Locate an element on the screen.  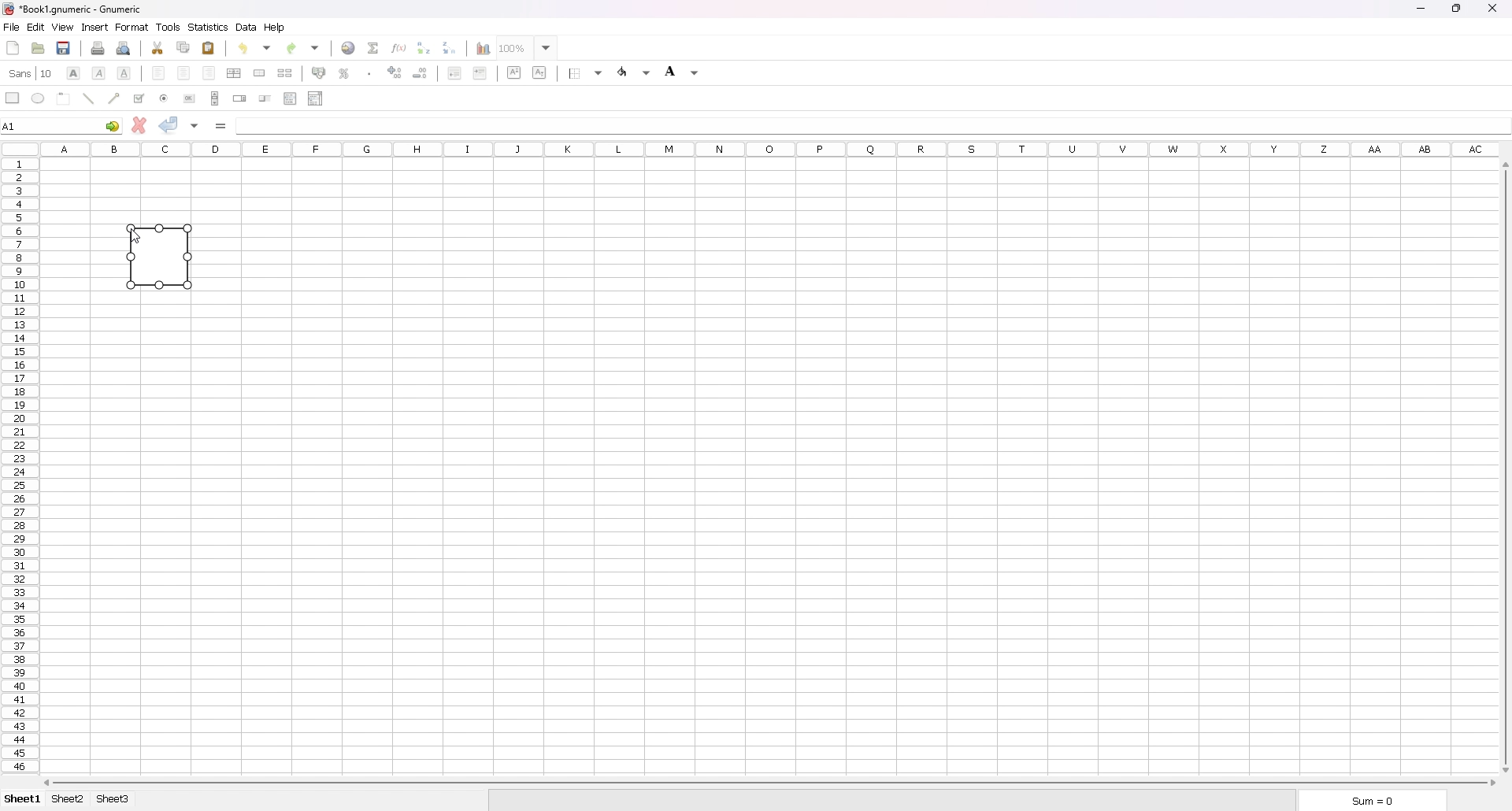
spin button is located at coordinates (239, 99).